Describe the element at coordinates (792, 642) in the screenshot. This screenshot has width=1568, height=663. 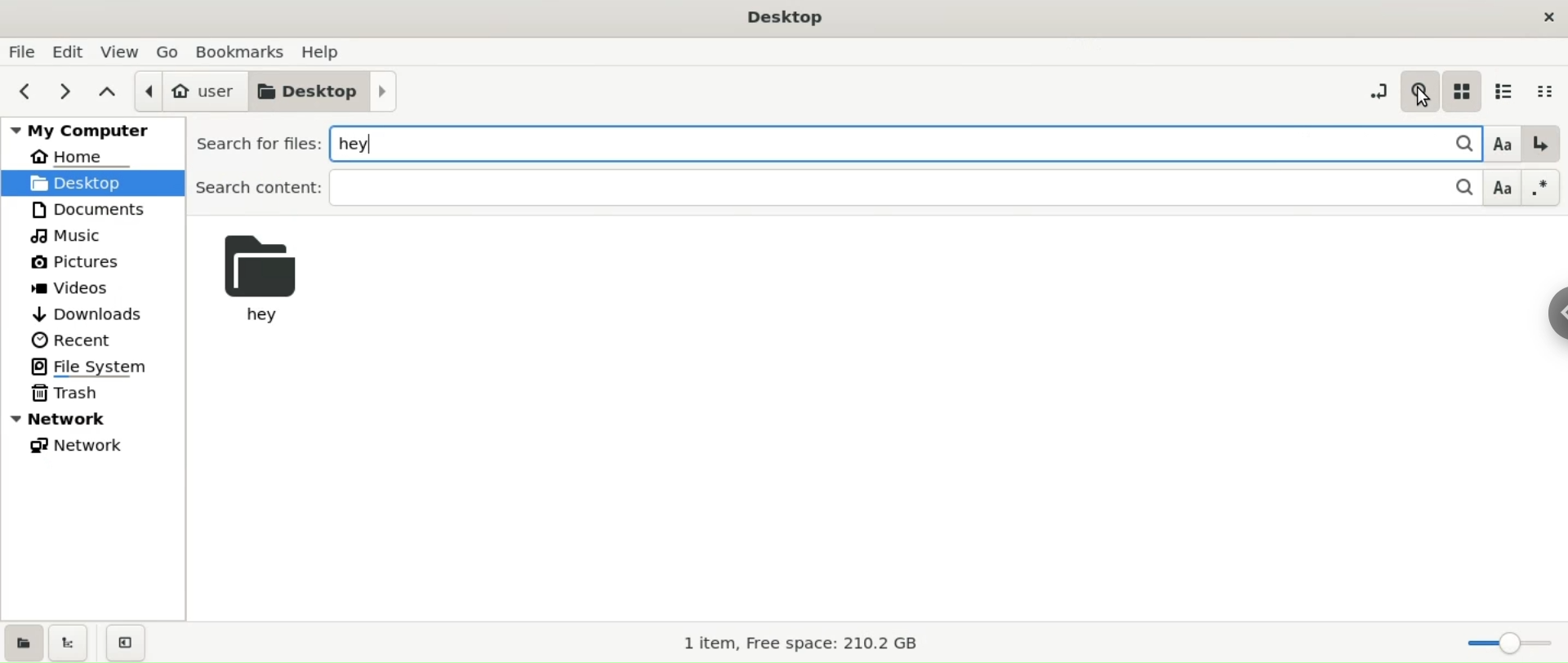
I see `1 item, Free space: 210.2 GB` at that location.